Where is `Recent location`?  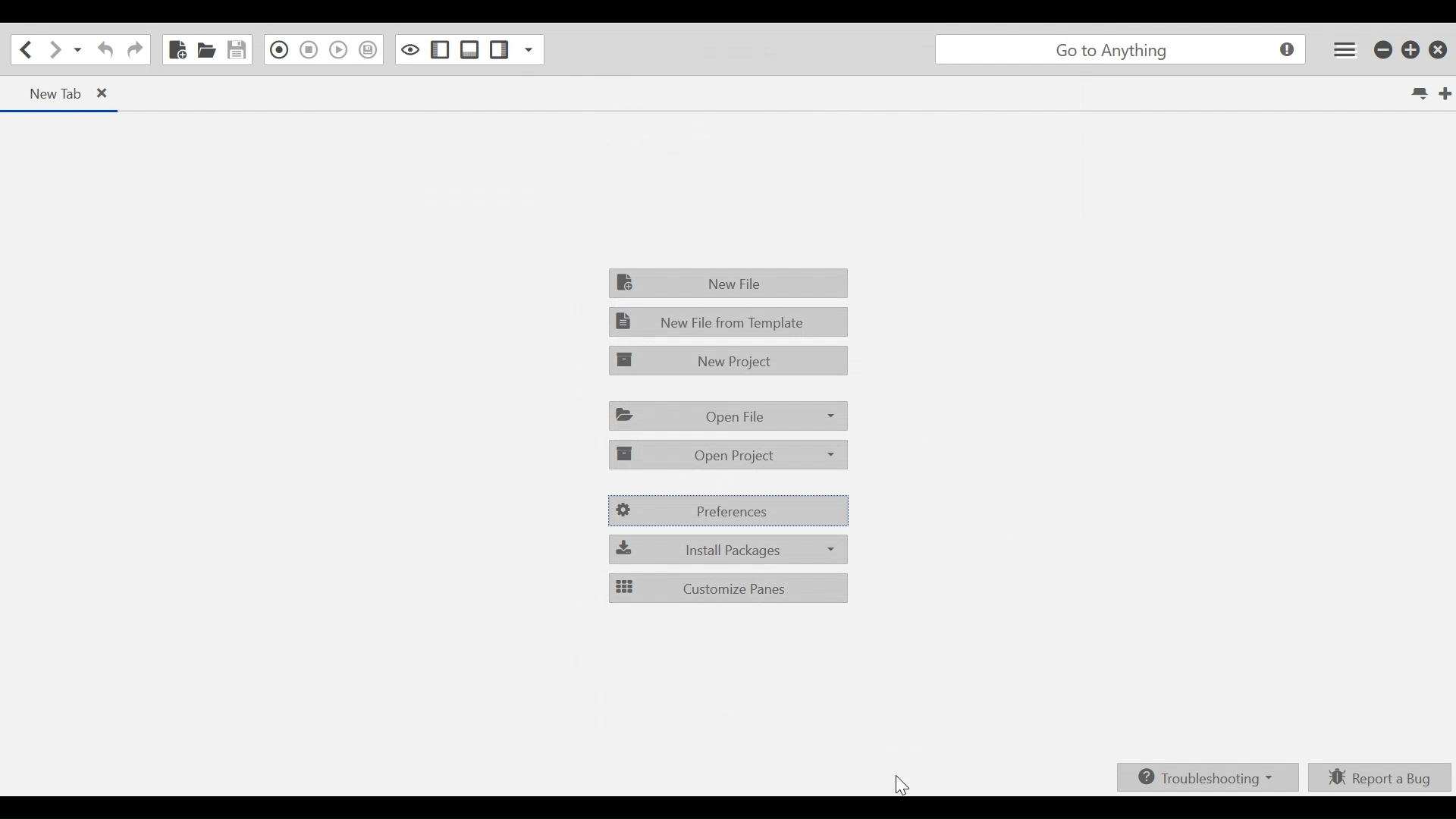 Recent location is located at coordinates (77, 50).